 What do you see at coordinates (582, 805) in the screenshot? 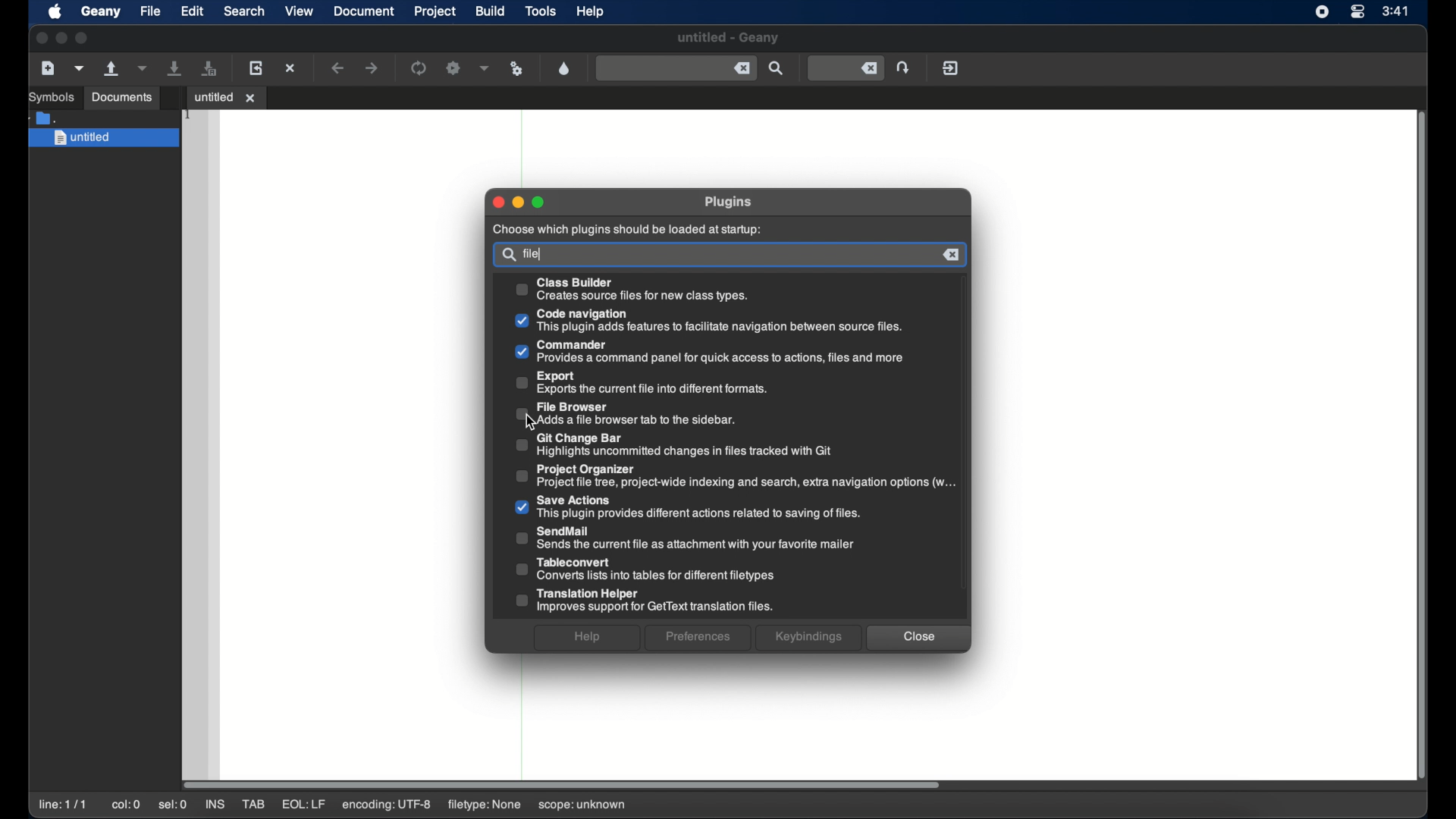
I see `scope: unknown` at bounding box center [582, 805].